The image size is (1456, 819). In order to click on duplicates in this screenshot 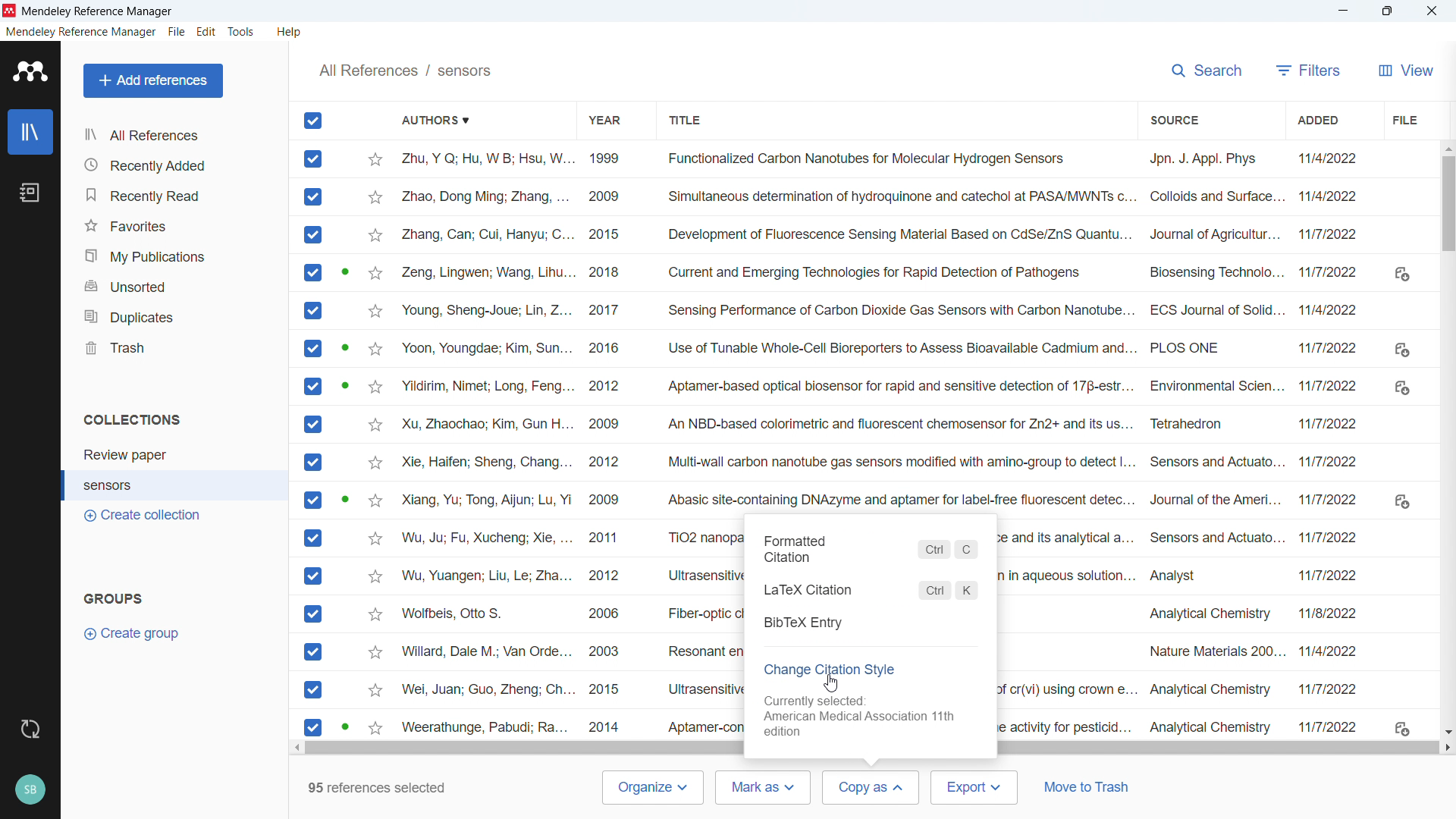, I will do `click(174, 316)`.